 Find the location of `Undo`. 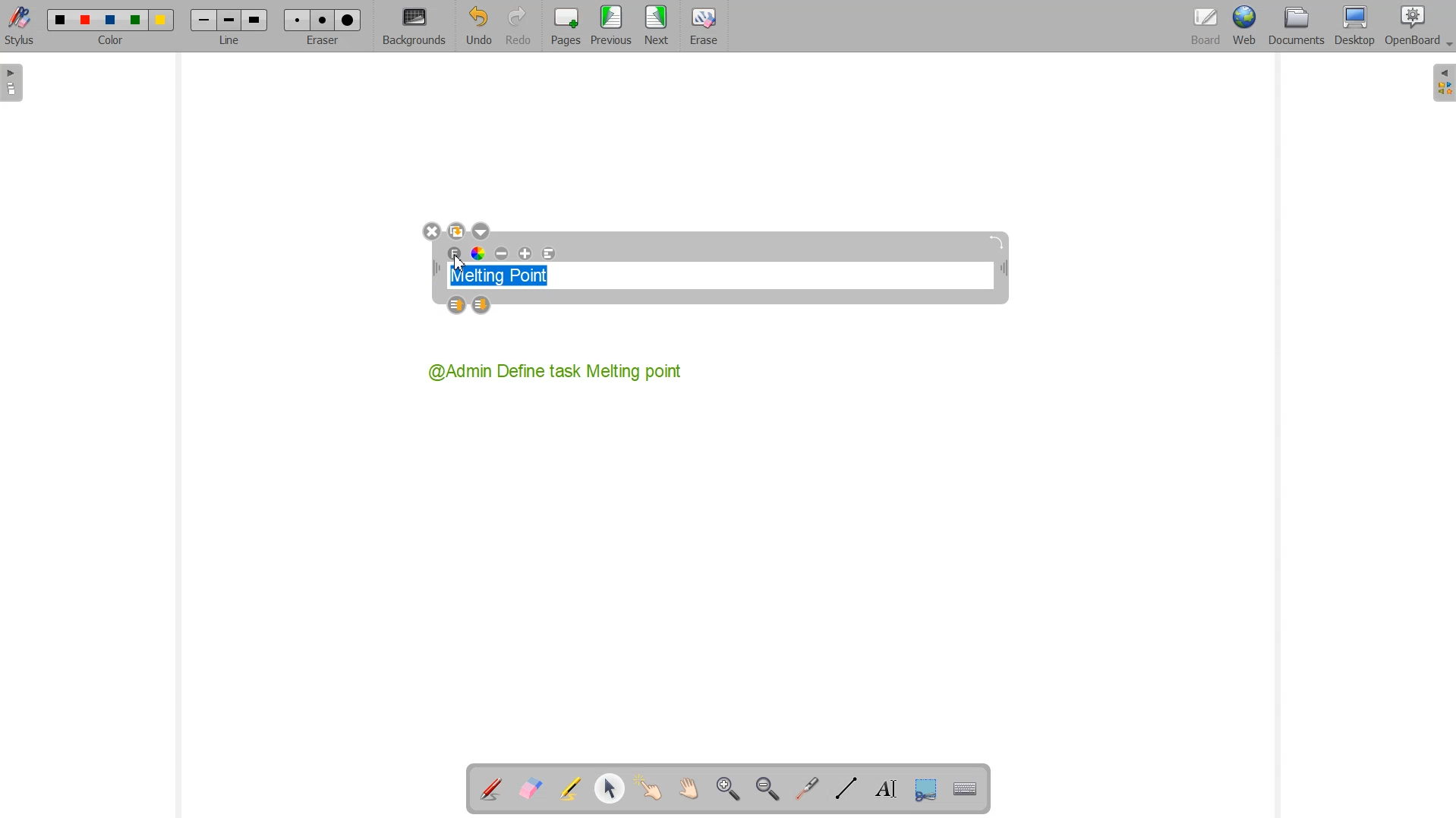

Undo is located at coordinates (478, 26).